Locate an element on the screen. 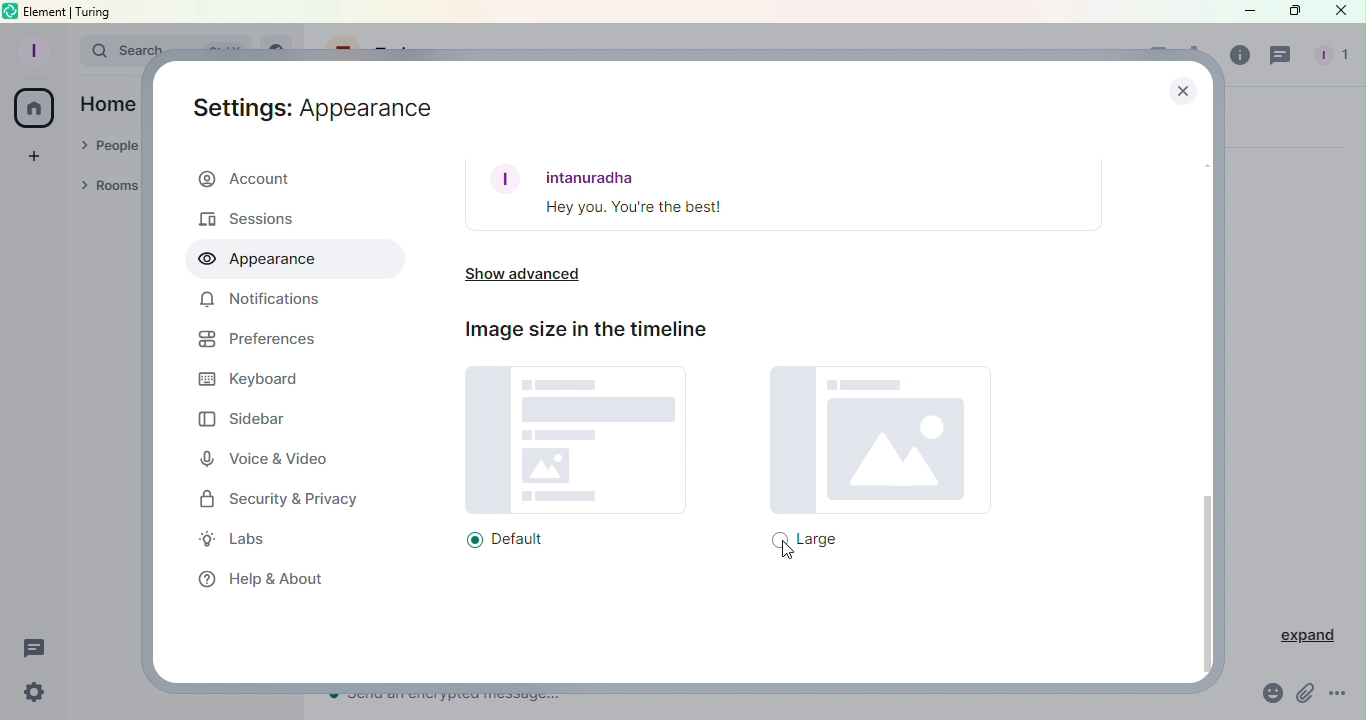 This screenshot has width=1366, height=720. turing is located at coordinates (94, 11).